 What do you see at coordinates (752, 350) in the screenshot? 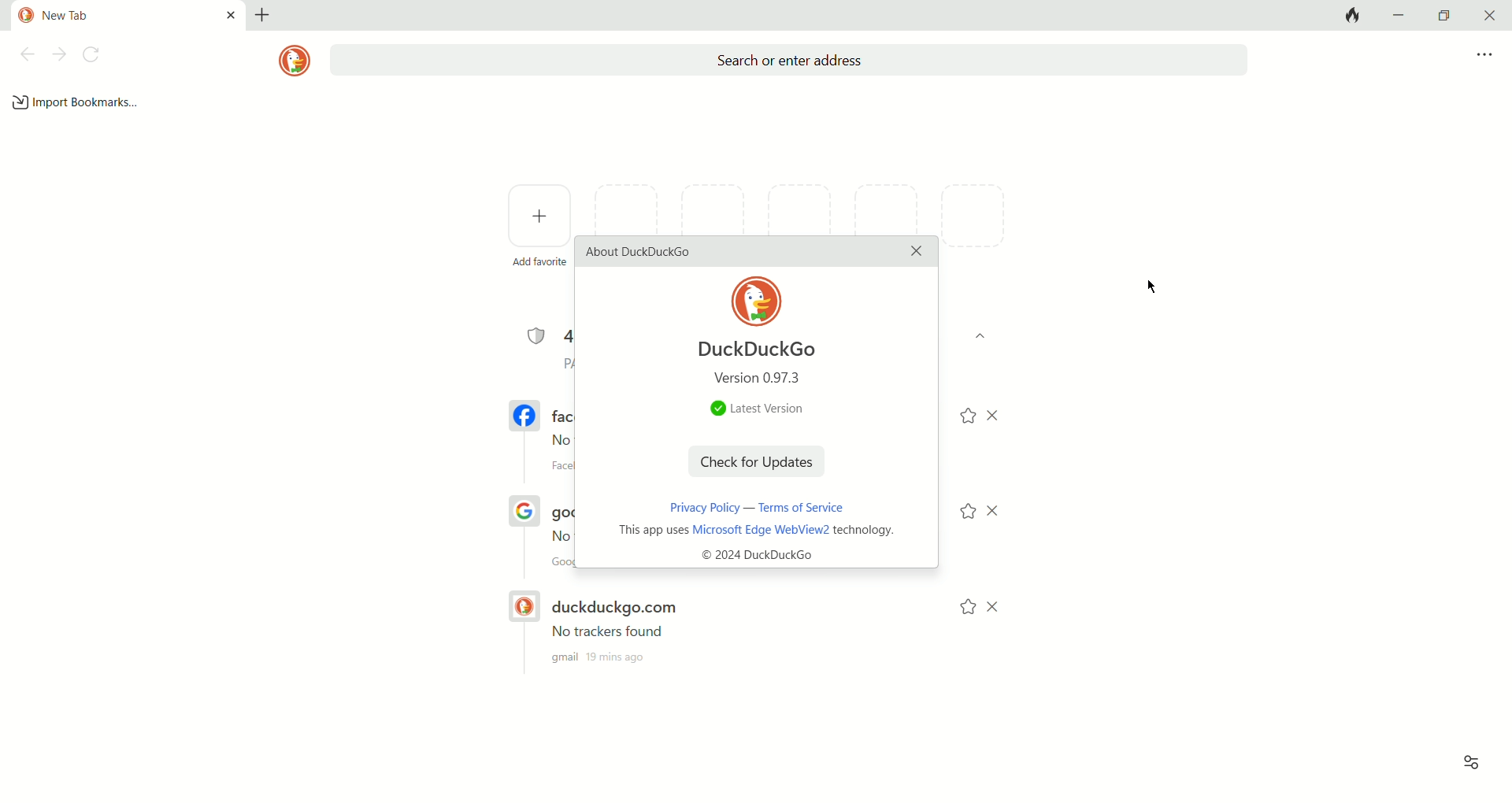
I see `DuckDuckGo` at bounding box center [752, 350].